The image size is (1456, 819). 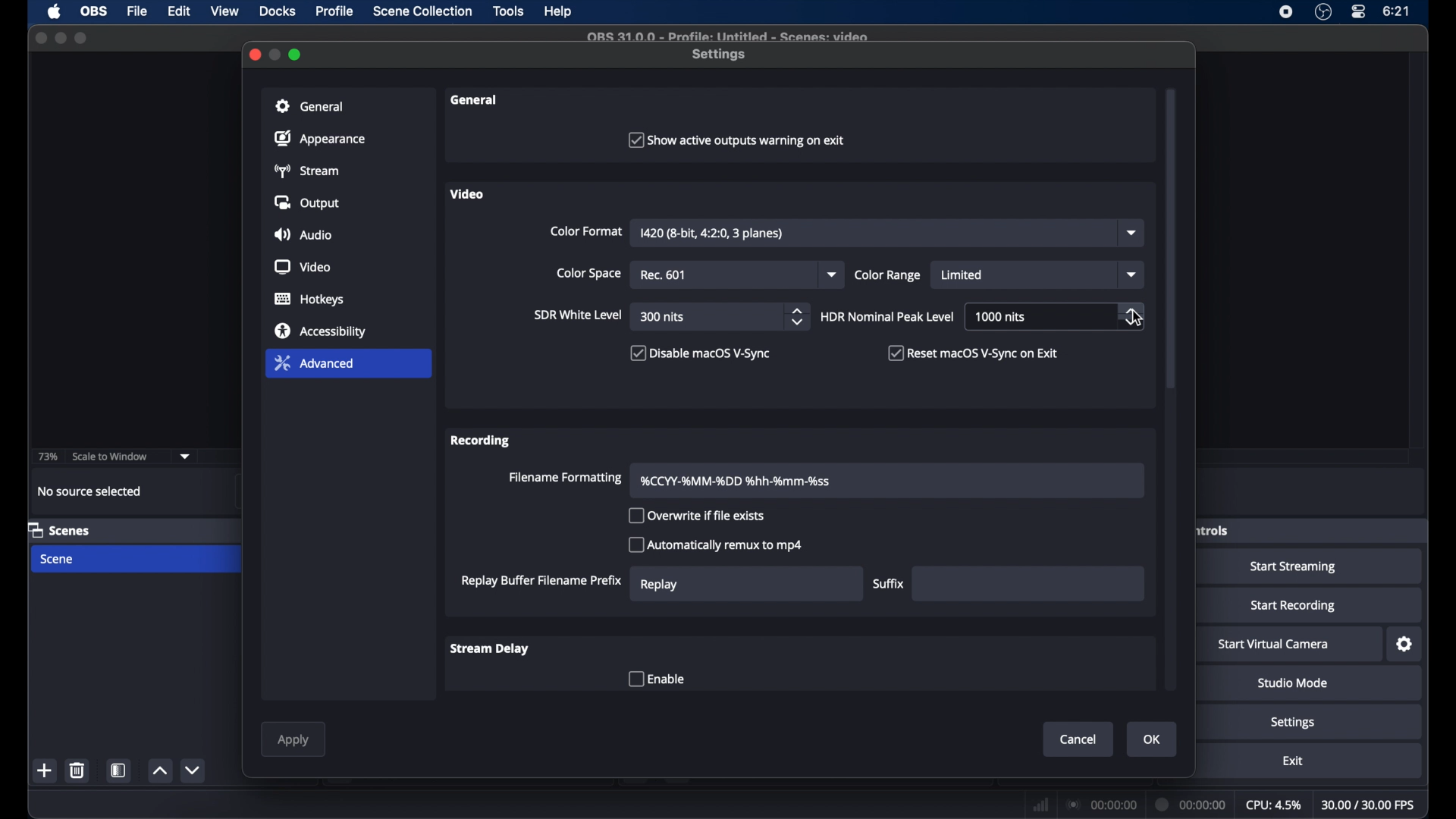 I want to click on dropdown, so click(x=1132, y=232).